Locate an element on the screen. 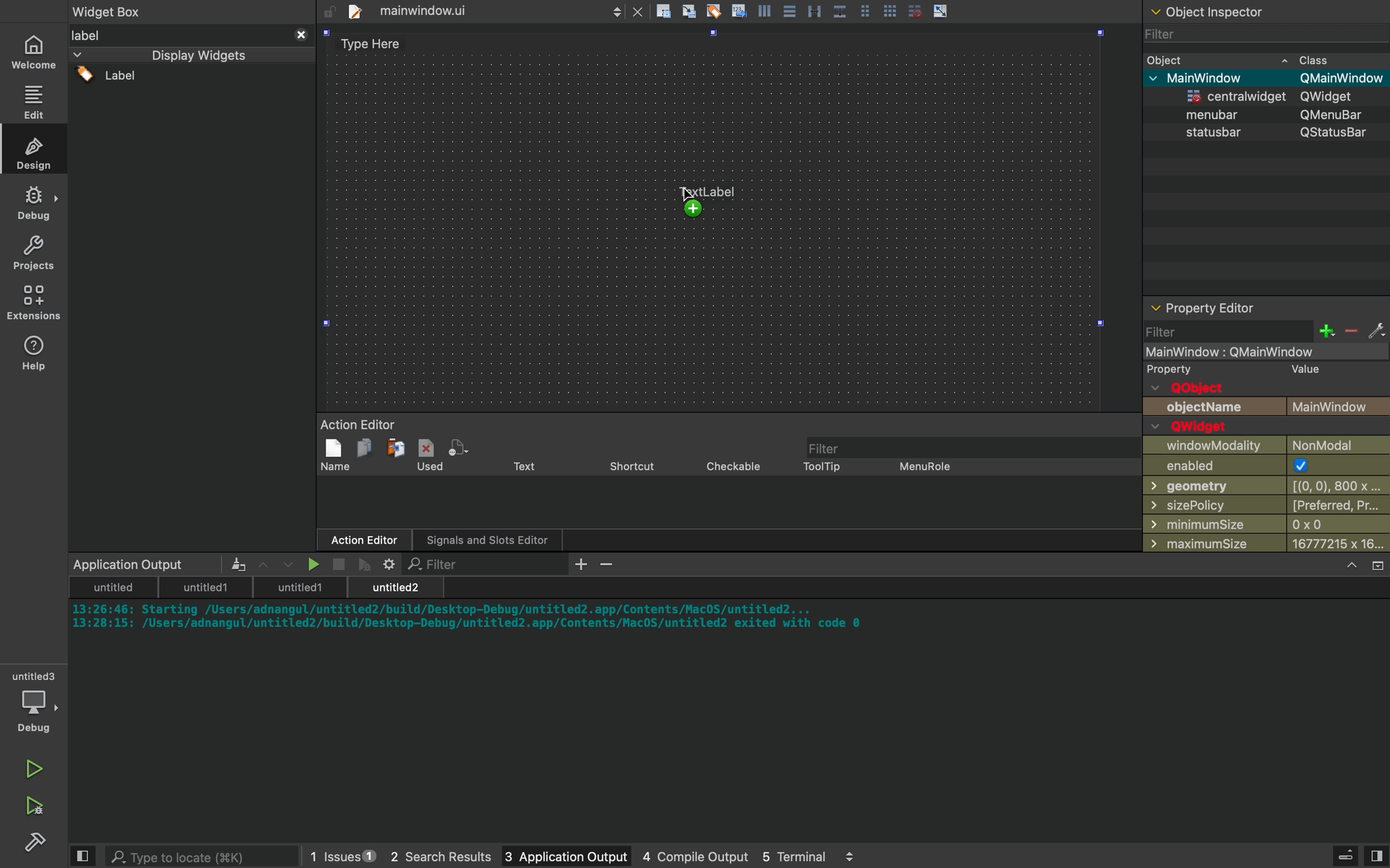  console is located at coordinates (732, 699).